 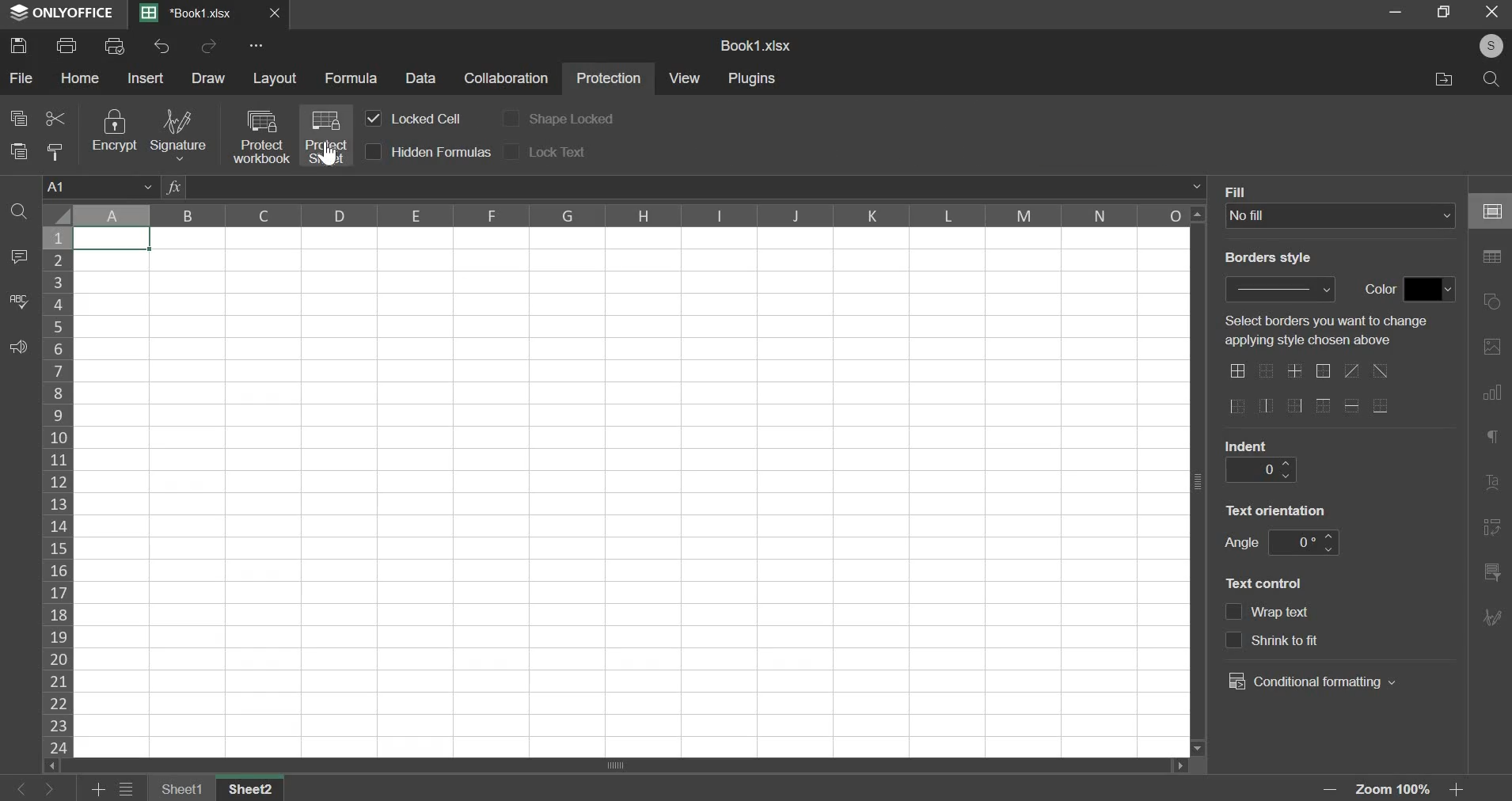 I want to click on save, so click(x=19, y=44).